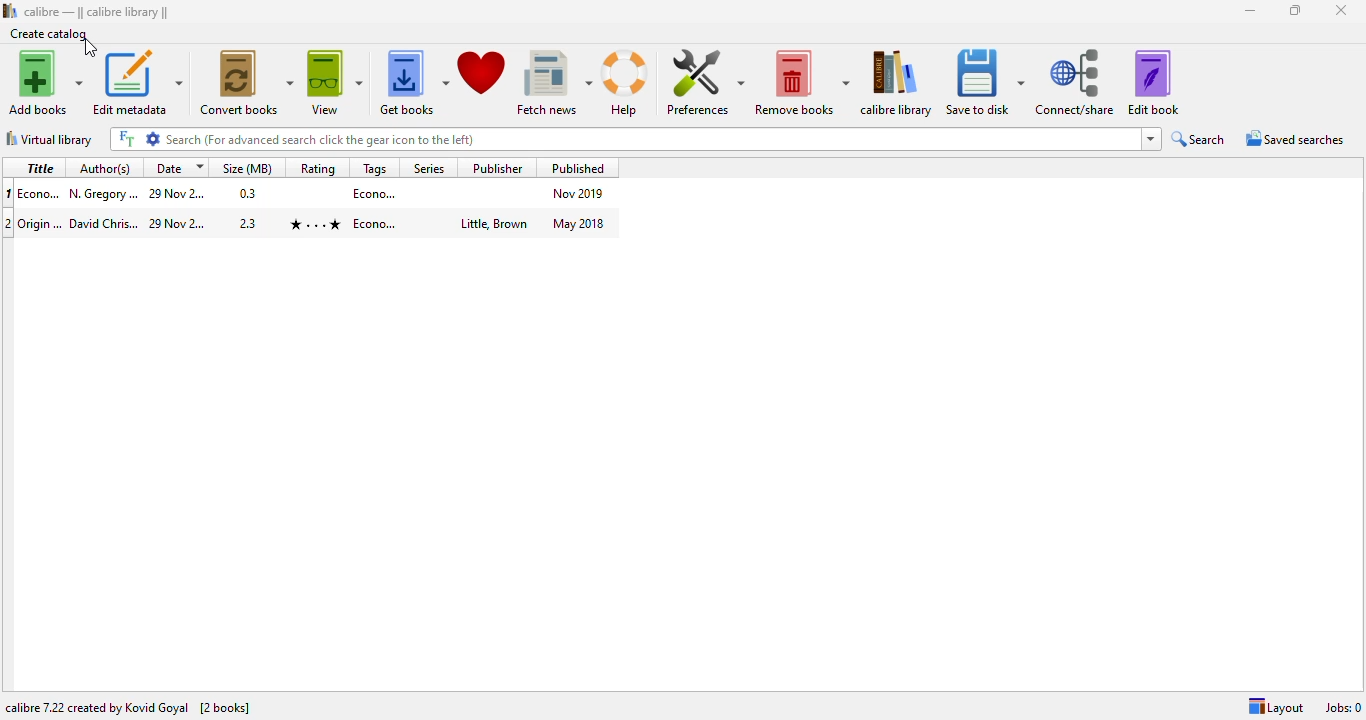  What do you see at coordinates (40, 168) in the screenshot?
I see `title` at bounding box center [40, 168].